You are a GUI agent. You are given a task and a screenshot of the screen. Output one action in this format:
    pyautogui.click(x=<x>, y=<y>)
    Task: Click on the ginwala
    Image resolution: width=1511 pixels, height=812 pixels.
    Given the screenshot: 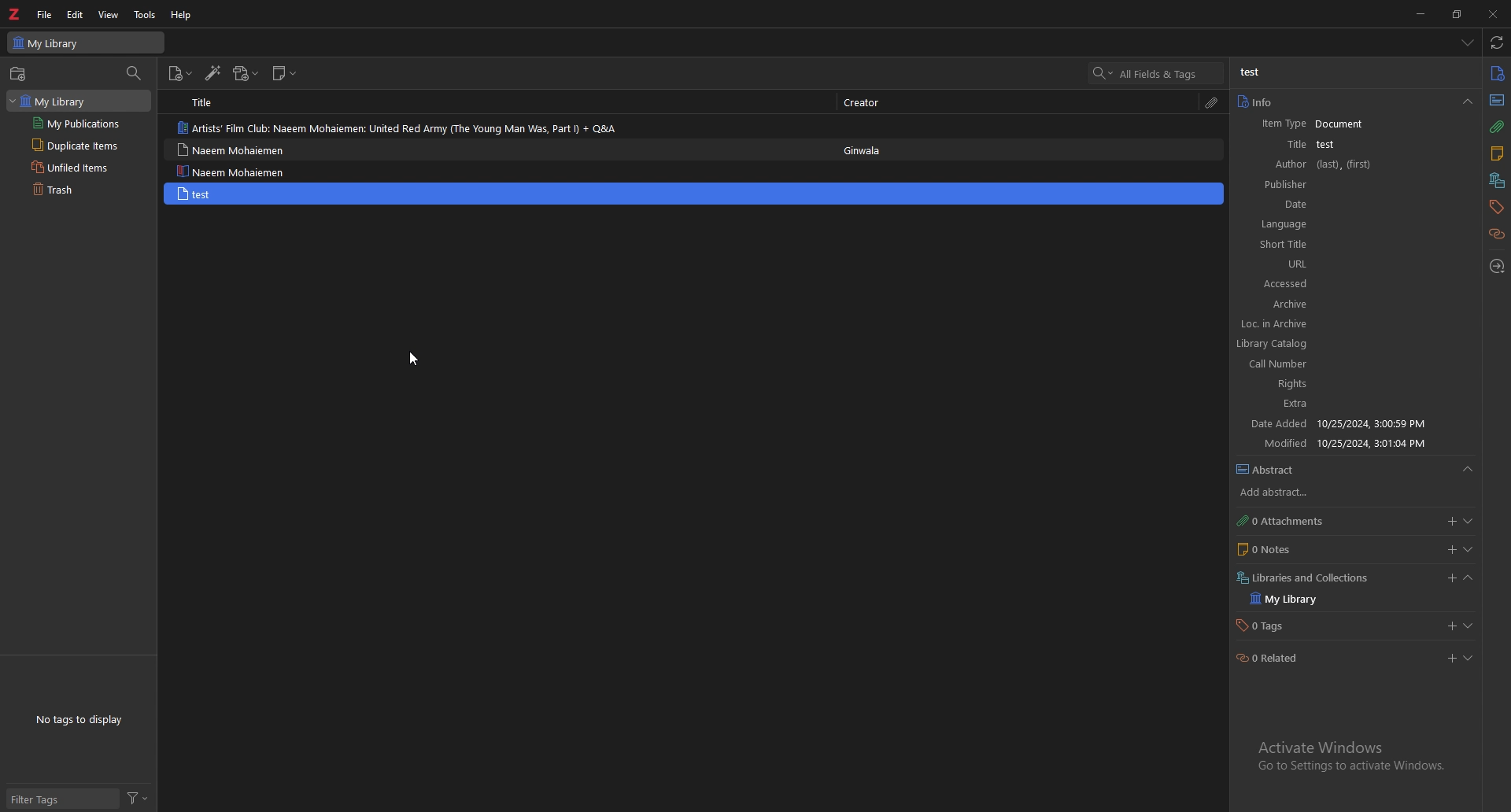 What is the action you would take?
    pyautogui.click(x=865, y=155)
    